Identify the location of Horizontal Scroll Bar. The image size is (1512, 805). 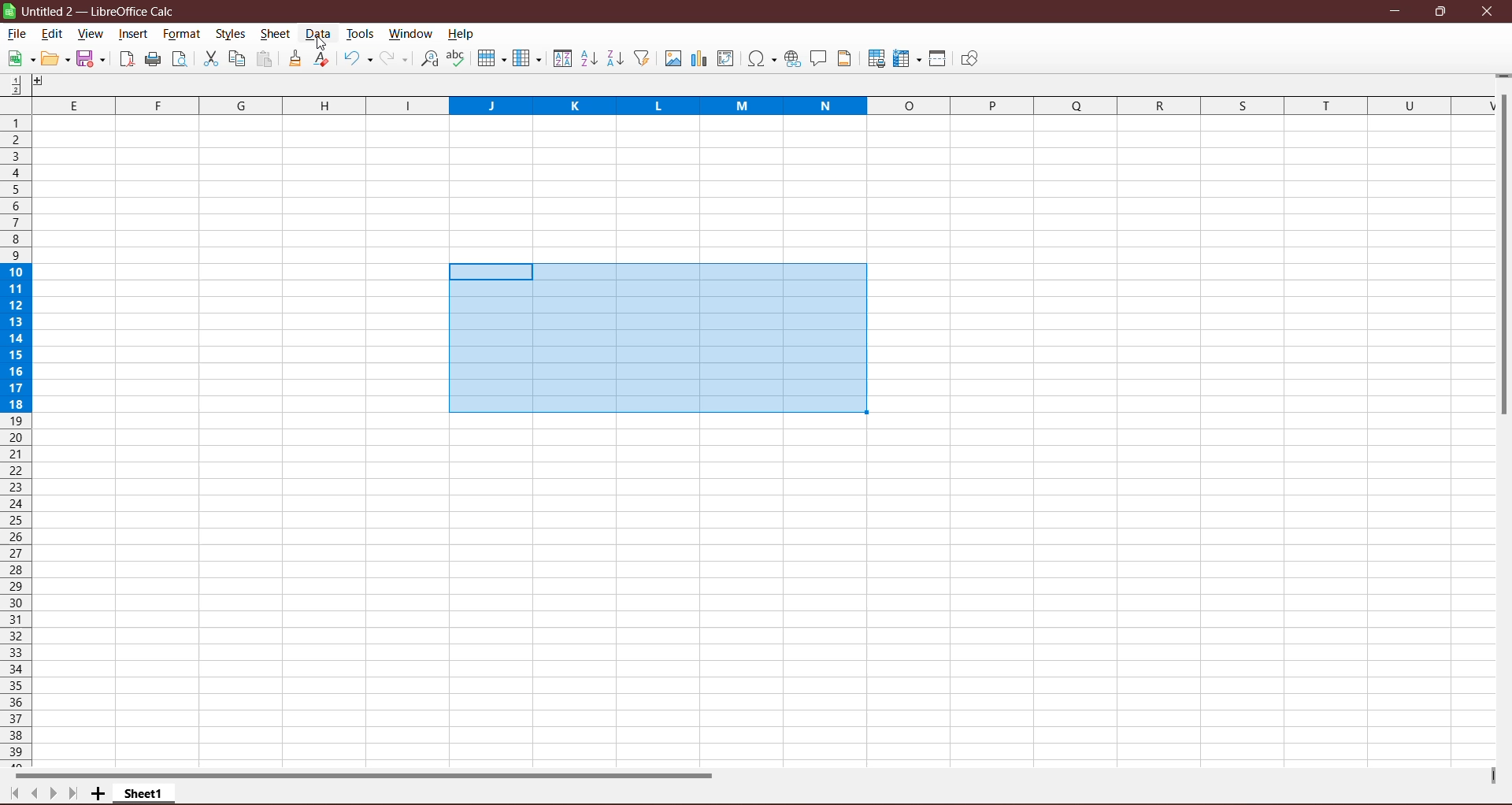
(374, 774).